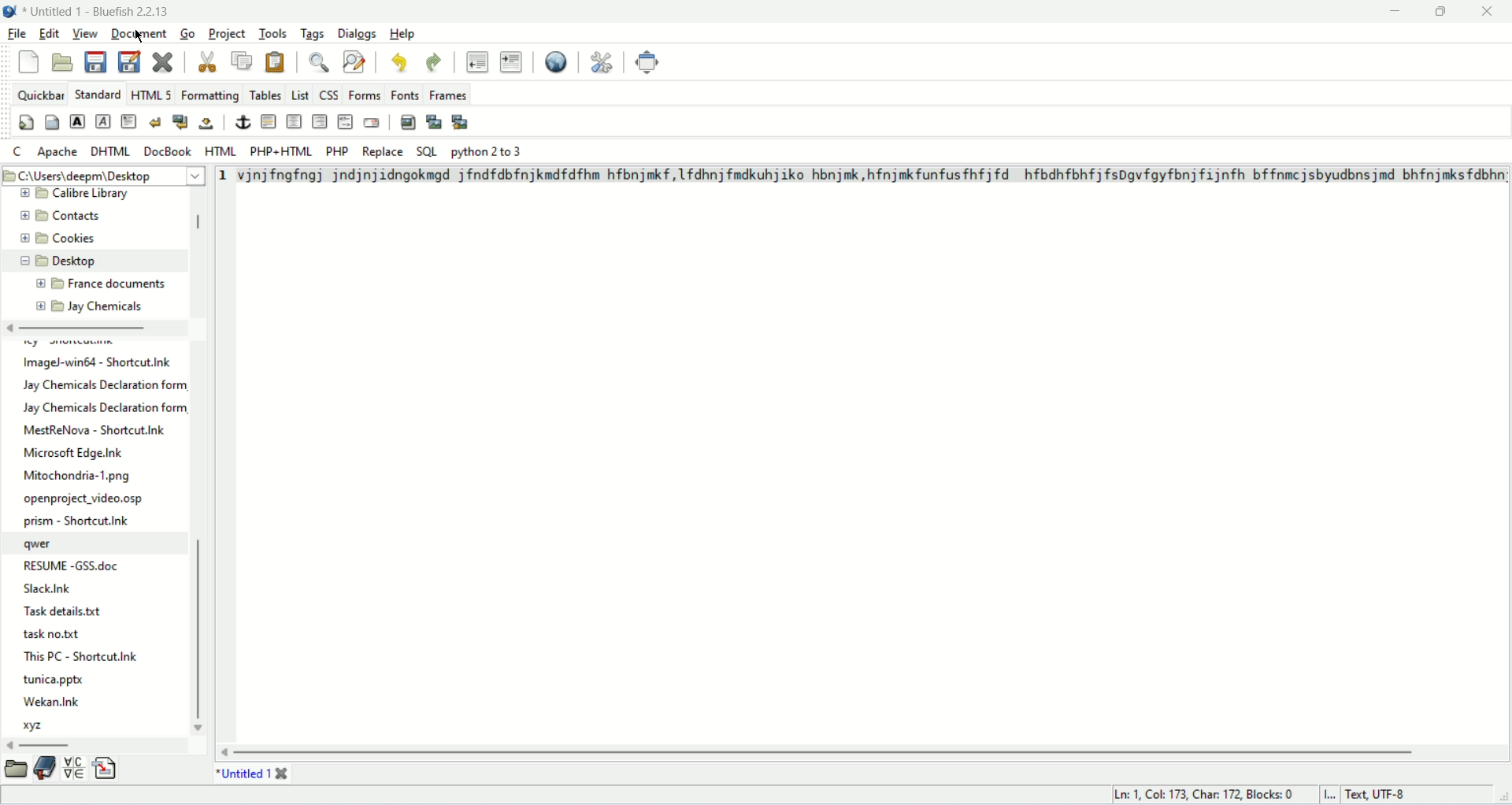  What do you see at coordinates (73, 563) in the screenshot?
I see `RESUME -GSS.doc` at bounding box center [73, 563].